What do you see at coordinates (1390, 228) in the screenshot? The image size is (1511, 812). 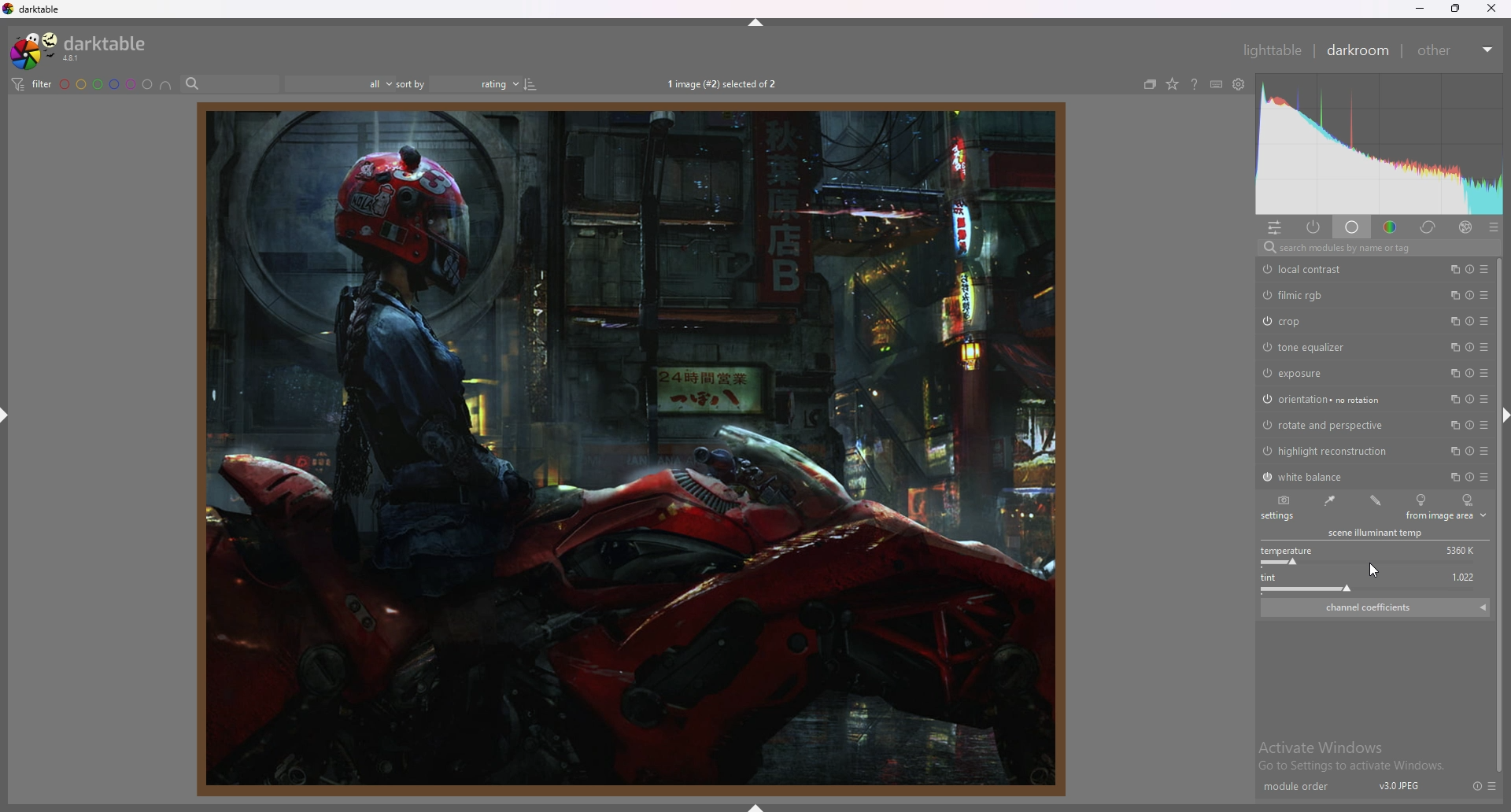 I see `color` at bounding box center [1390, 228].